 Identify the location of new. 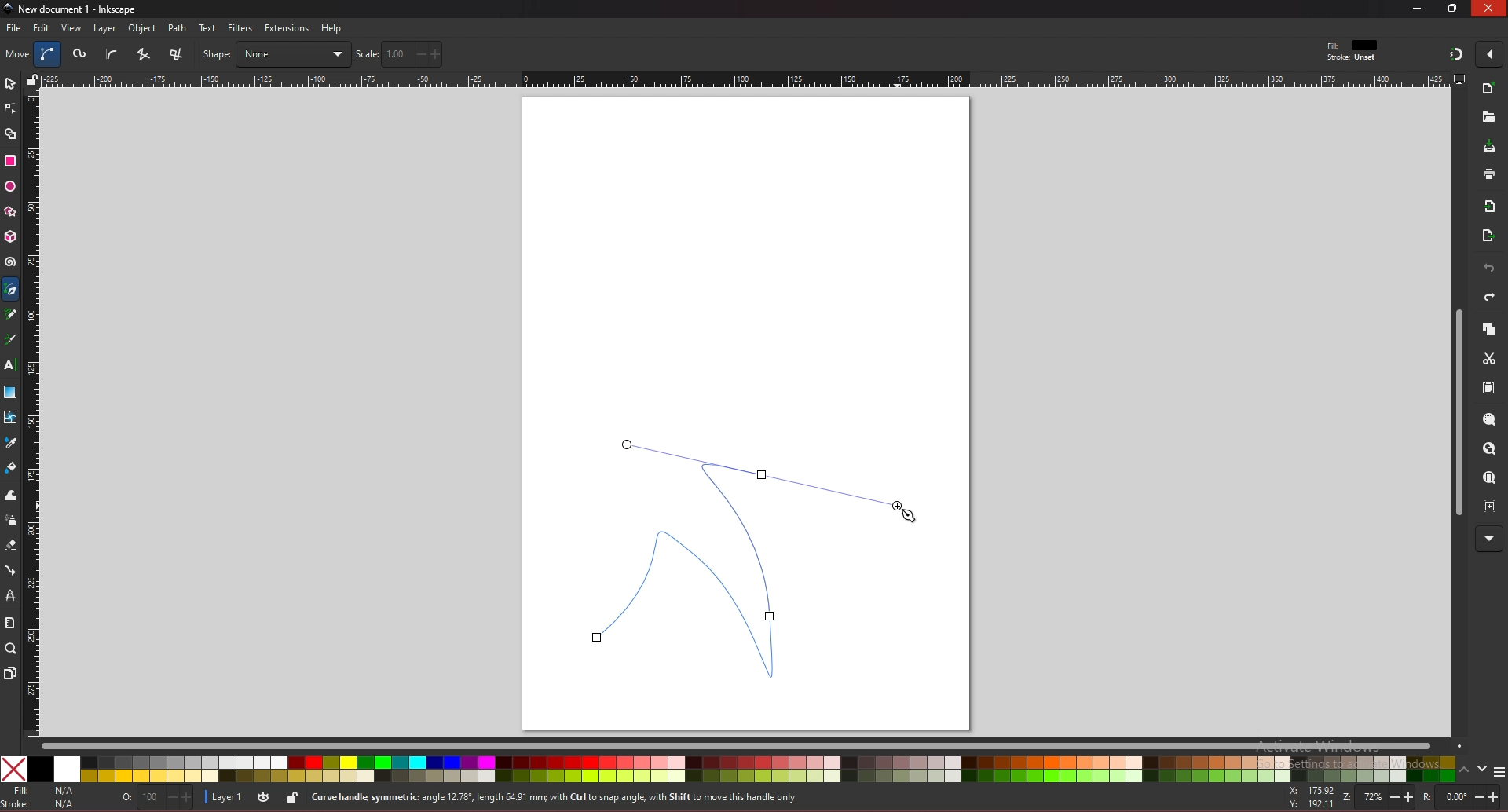
(1488, 117).